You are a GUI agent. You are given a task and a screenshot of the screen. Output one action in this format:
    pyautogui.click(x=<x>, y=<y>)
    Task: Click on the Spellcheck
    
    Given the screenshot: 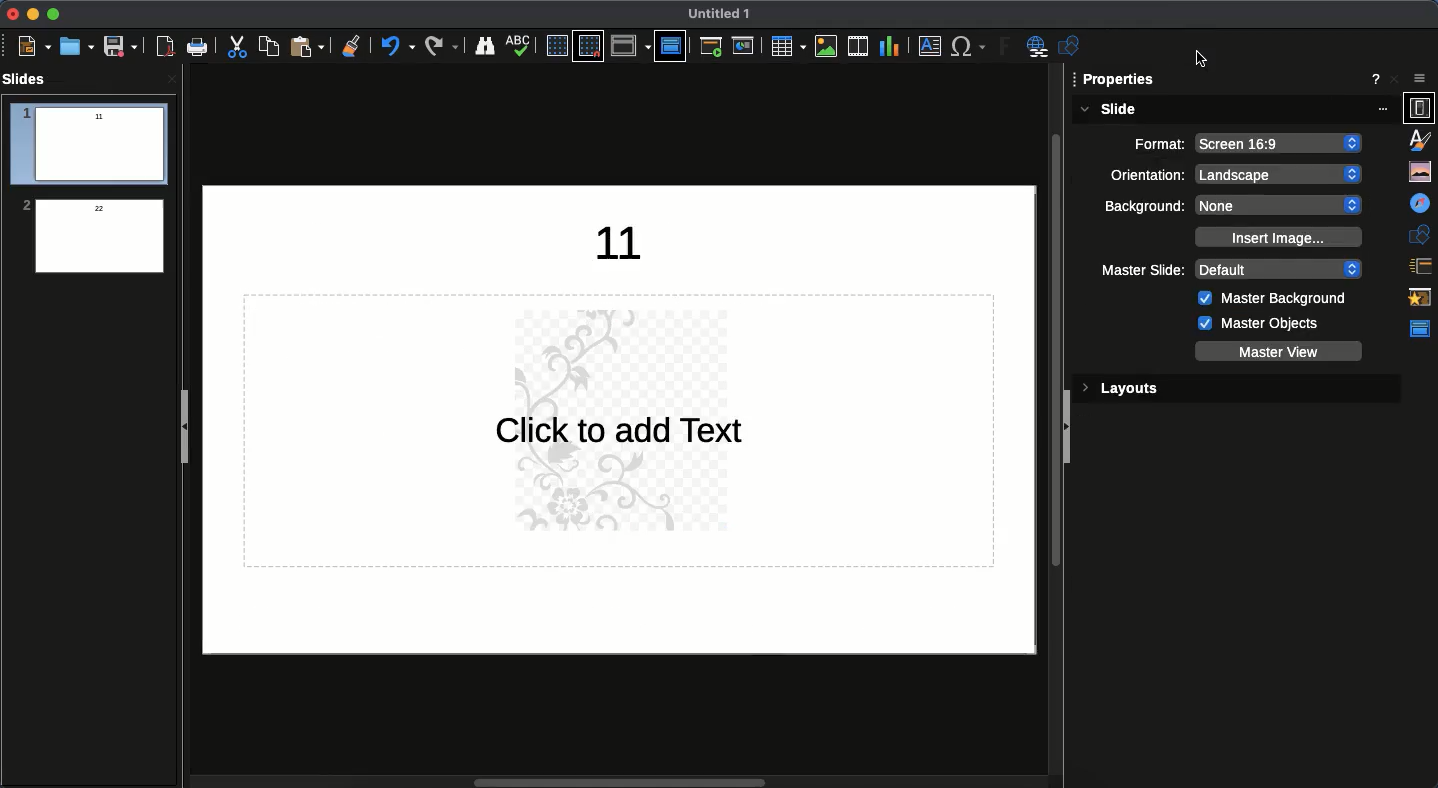 What is the action you would take?
    pyautogui.click(x=519, y=44)
    